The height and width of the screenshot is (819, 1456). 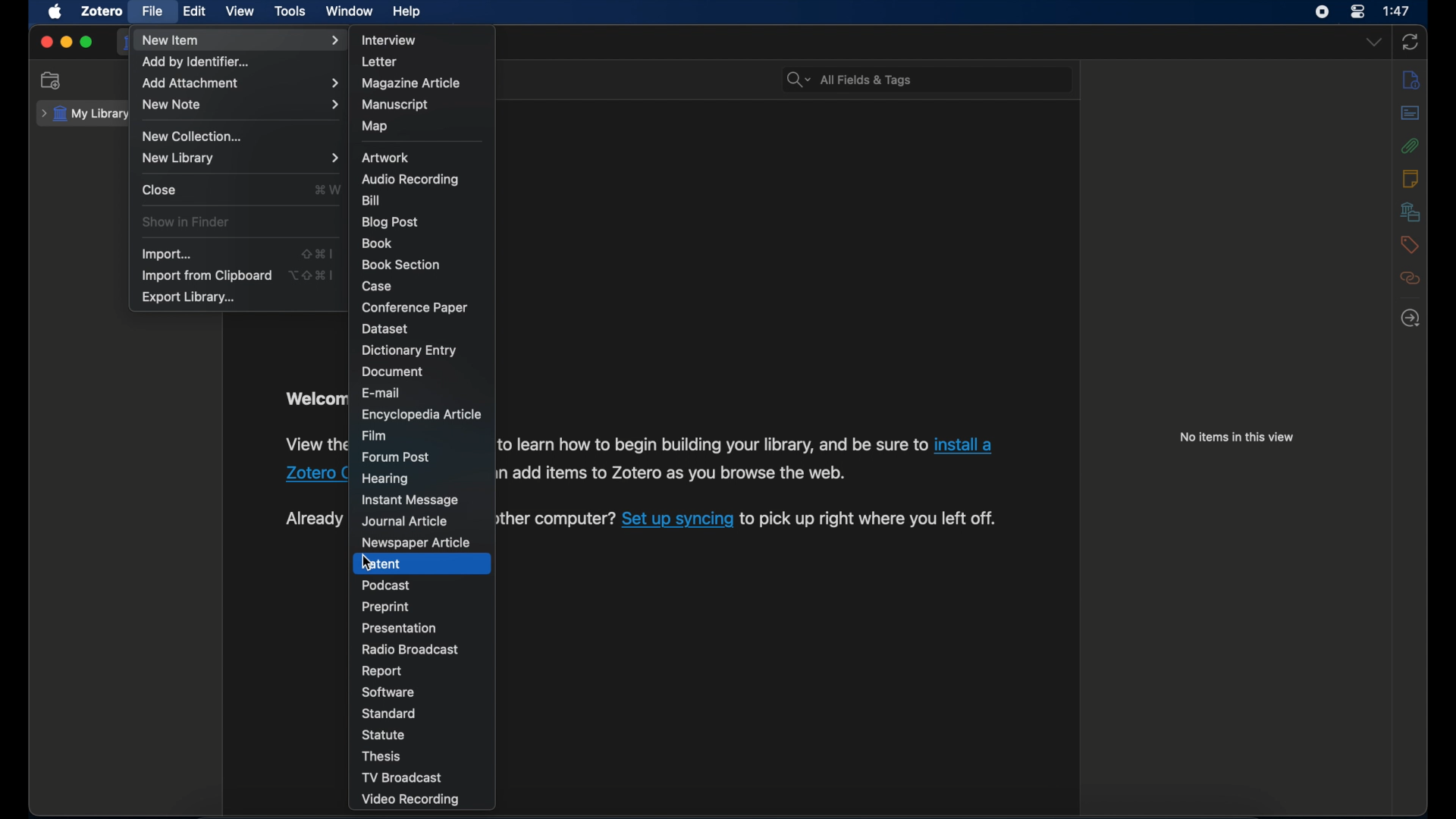 What do you see at coordinates (381, 563) in the screenshot?
I see `patent` at bounding box center [381, 563].